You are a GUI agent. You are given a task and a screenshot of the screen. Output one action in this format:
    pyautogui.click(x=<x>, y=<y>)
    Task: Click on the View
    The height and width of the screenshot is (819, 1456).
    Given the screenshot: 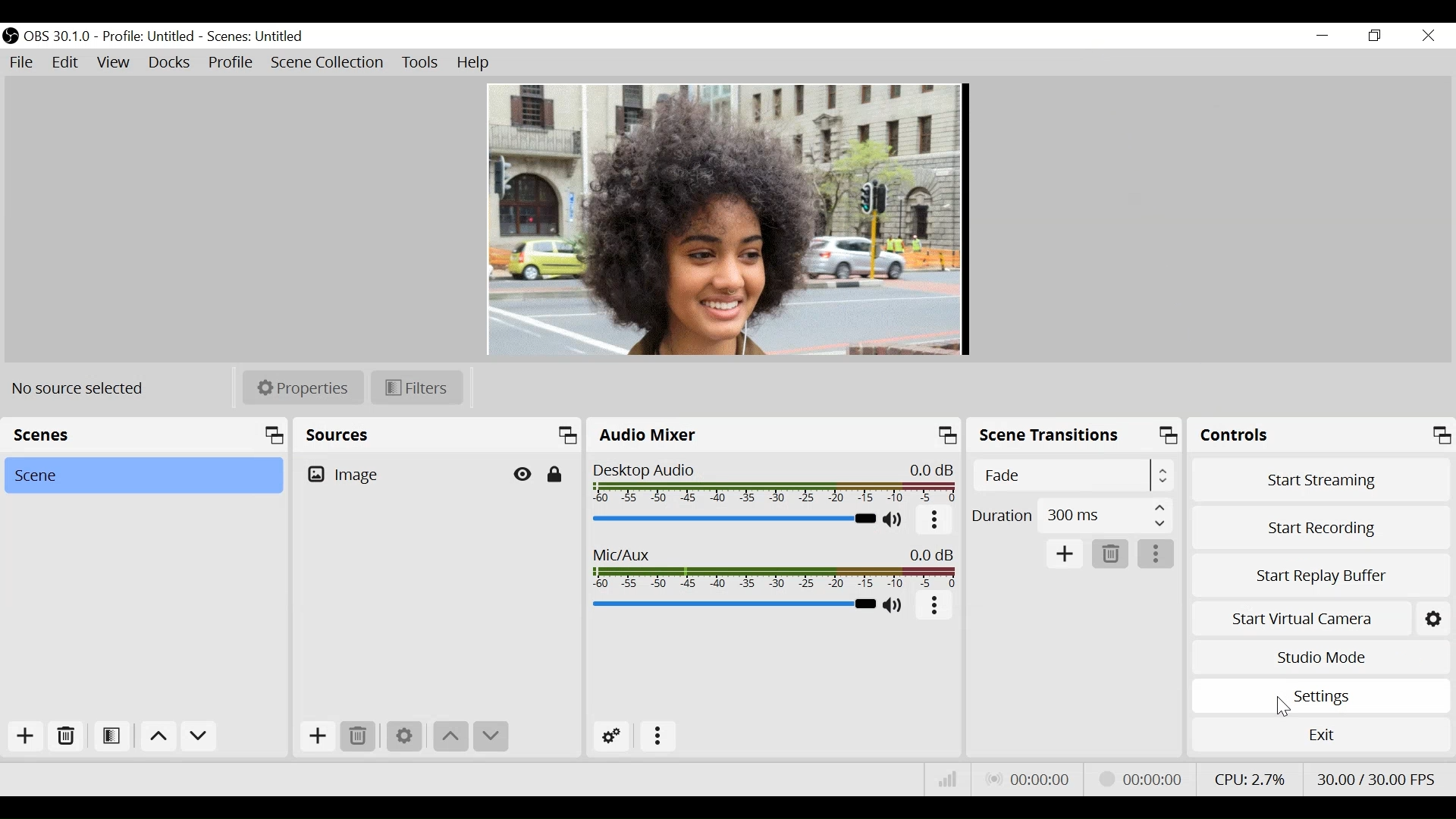 What is the action you would take?
    pyautogui.click(x=113, y=63)
    